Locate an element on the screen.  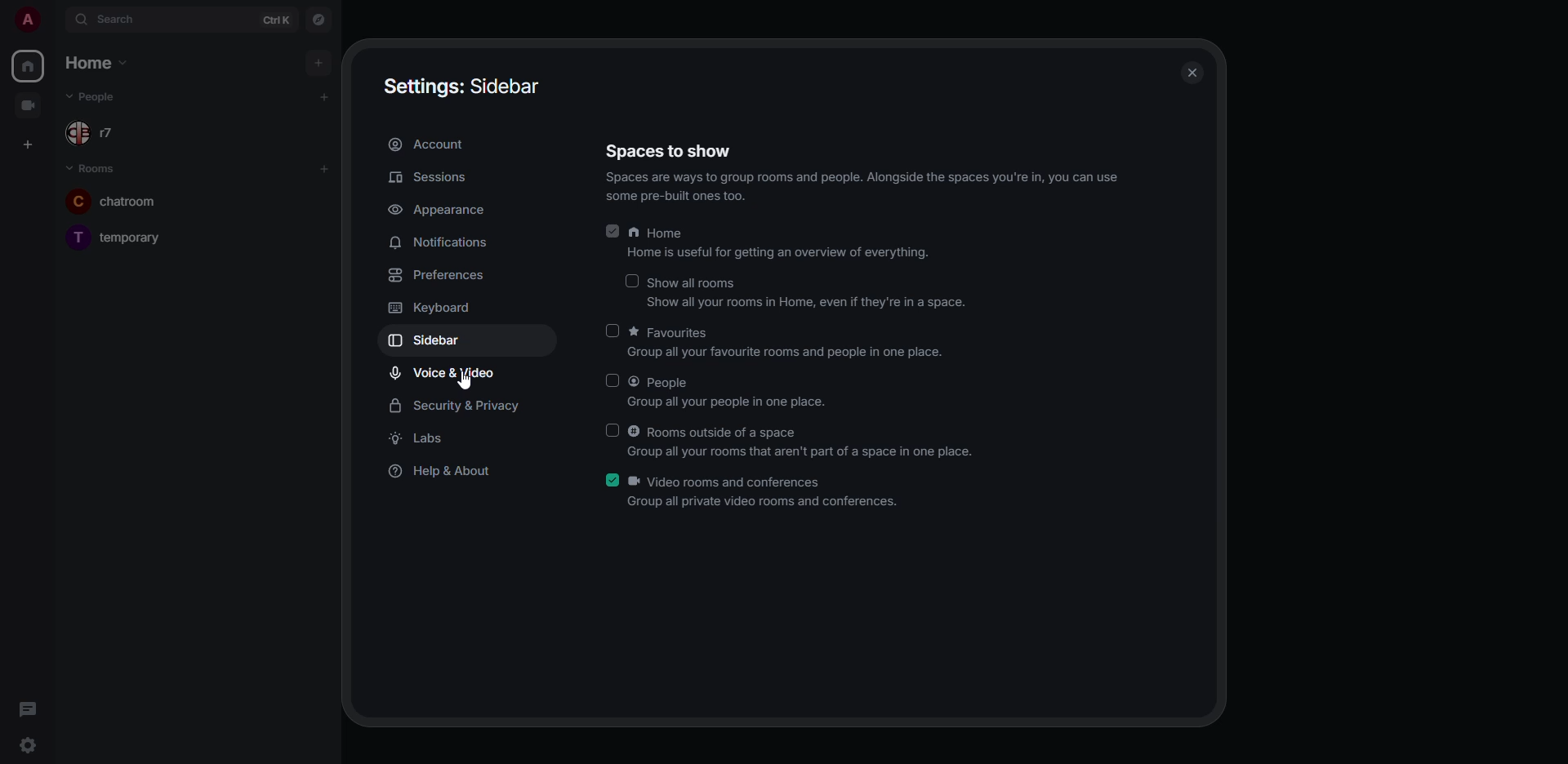
click to enable is located at coordinates (611, 330).